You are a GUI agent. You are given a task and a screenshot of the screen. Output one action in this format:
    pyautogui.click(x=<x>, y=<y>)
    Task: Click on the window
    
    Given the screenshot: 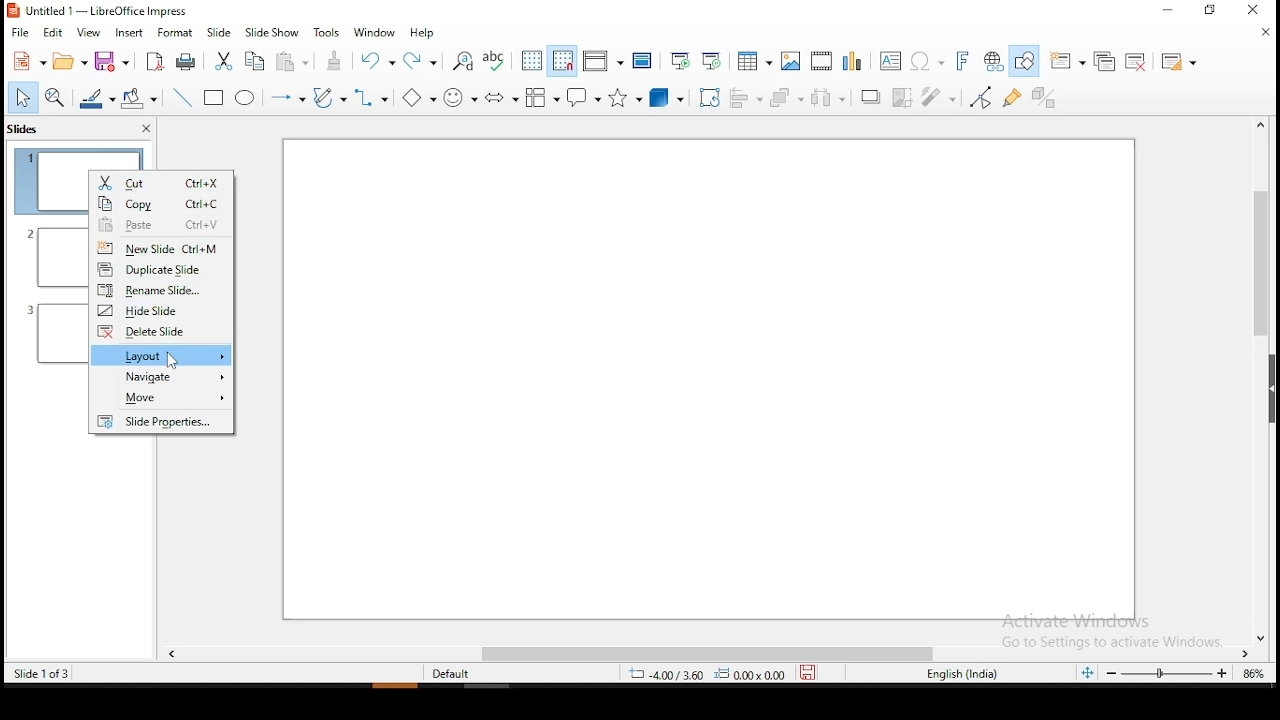 What is the action you would take?
    pyautogui.click(x=376, y=35)
    